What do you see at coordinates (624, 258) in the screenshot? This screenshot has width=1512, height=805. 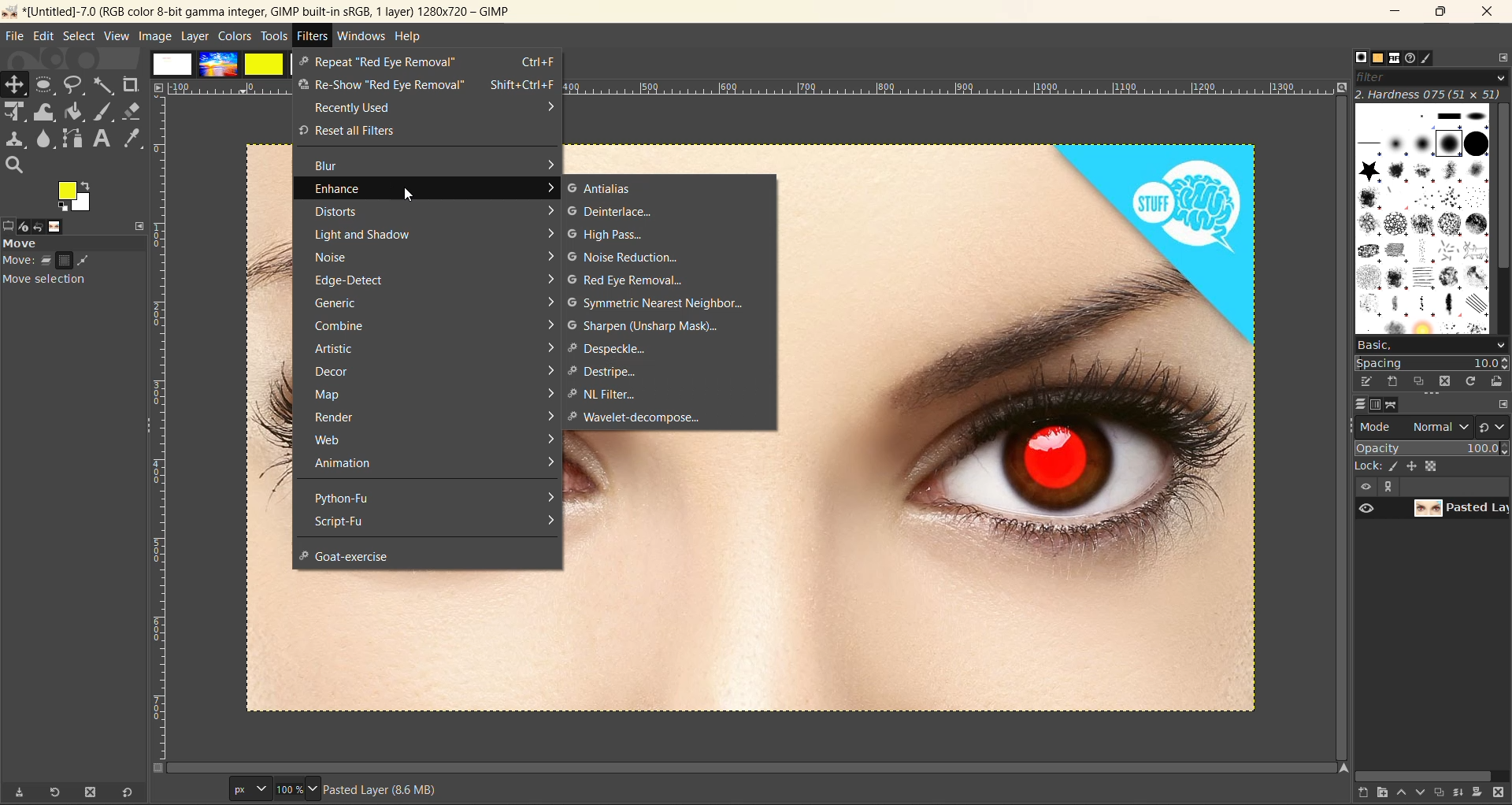 I see `noise reduction` at bounding box center [624, 258].